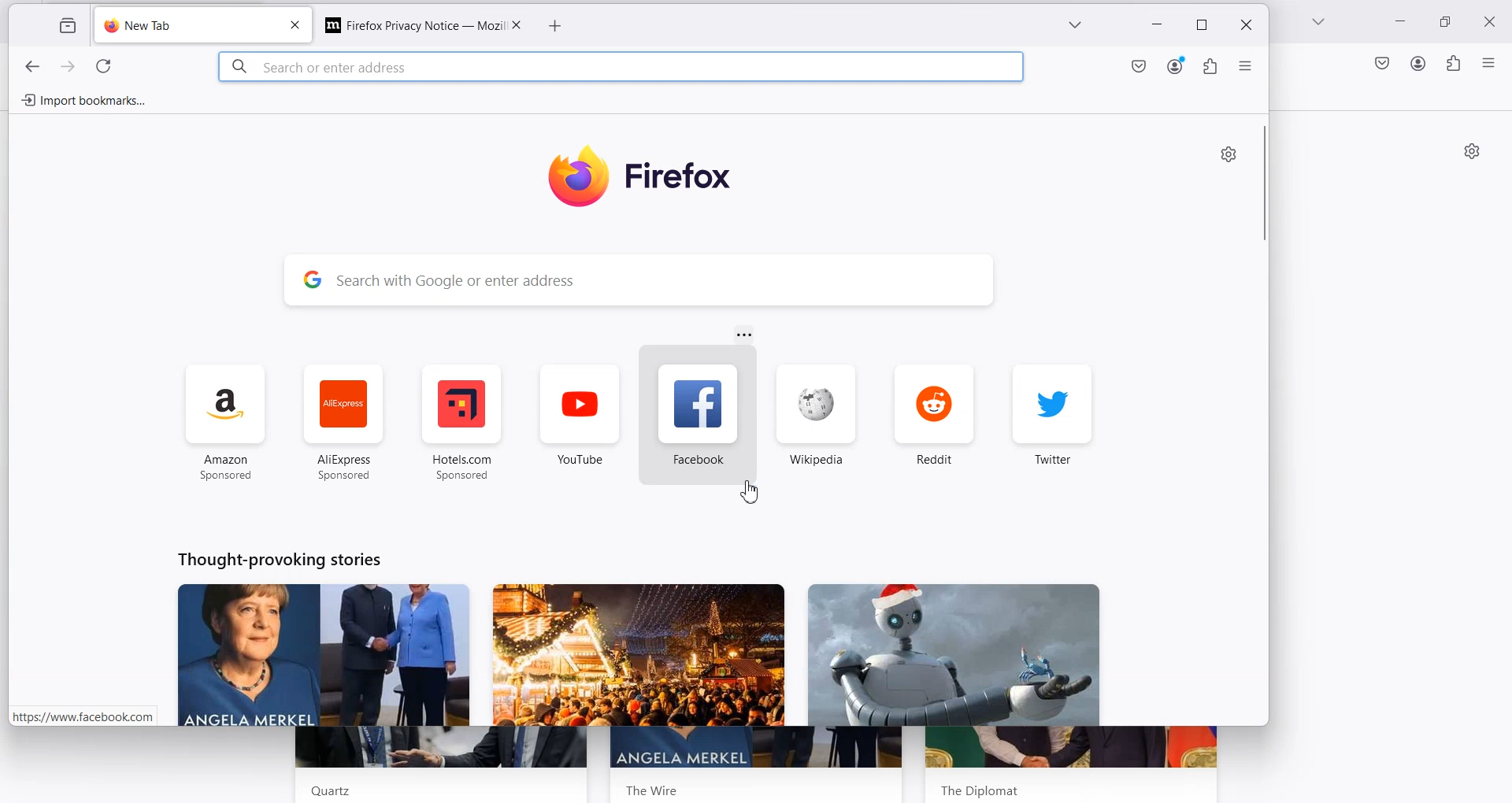  I want to click on | https://www.facebook.com, so click(80, 716).